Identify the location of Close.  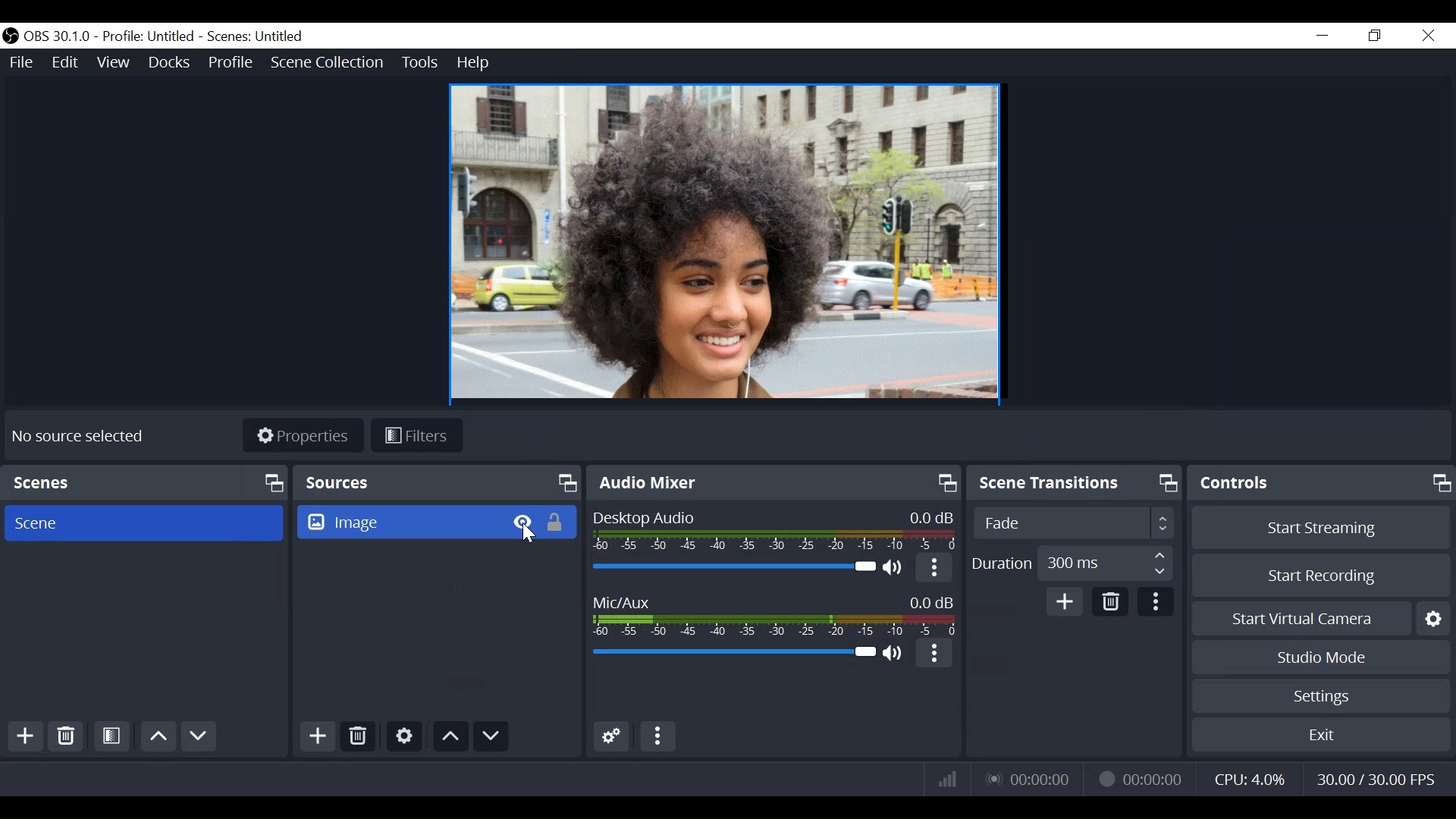
(1429, 36).